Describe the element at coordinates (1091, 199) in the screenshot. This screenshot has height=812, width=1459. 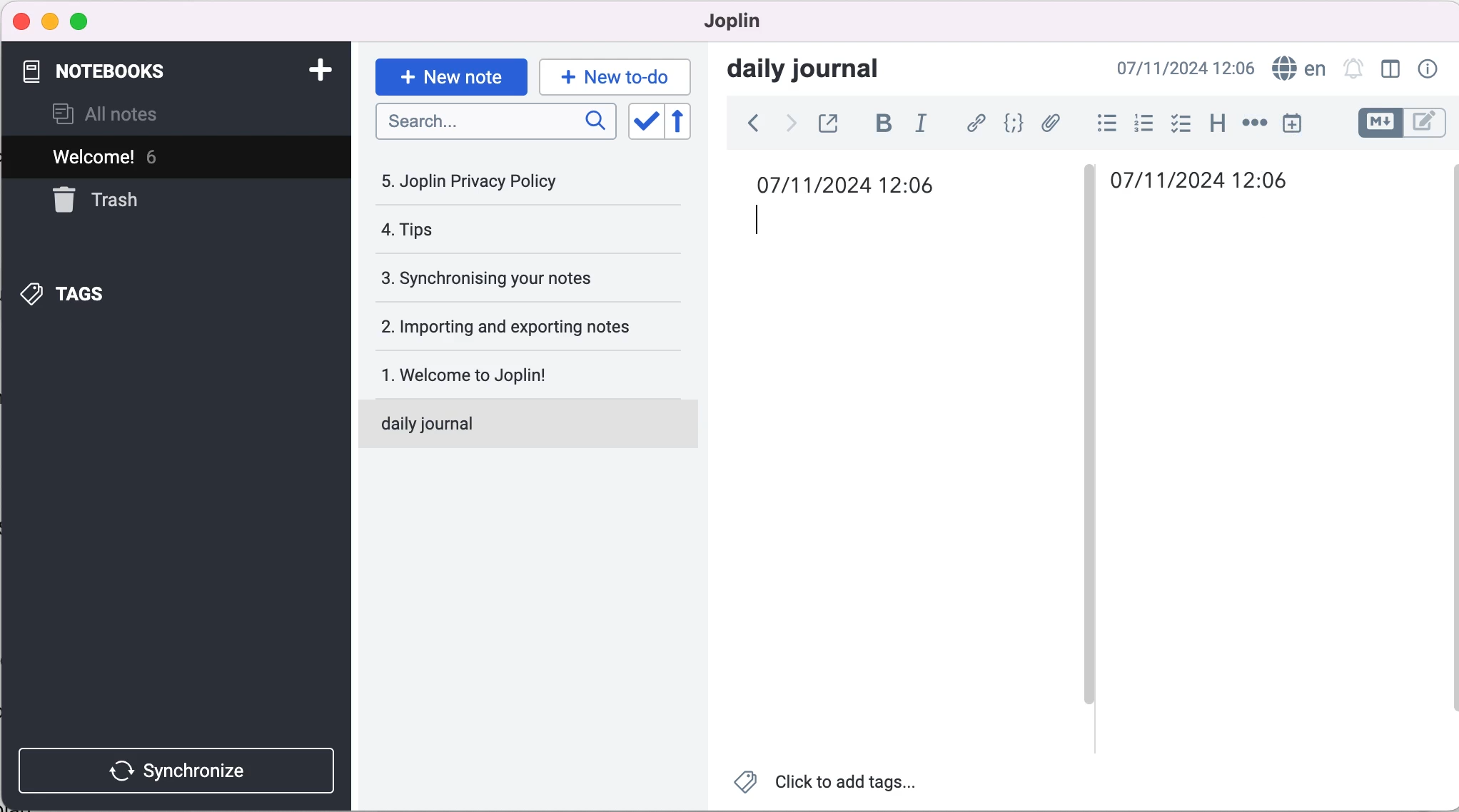
I see `vertical slider` at that location.